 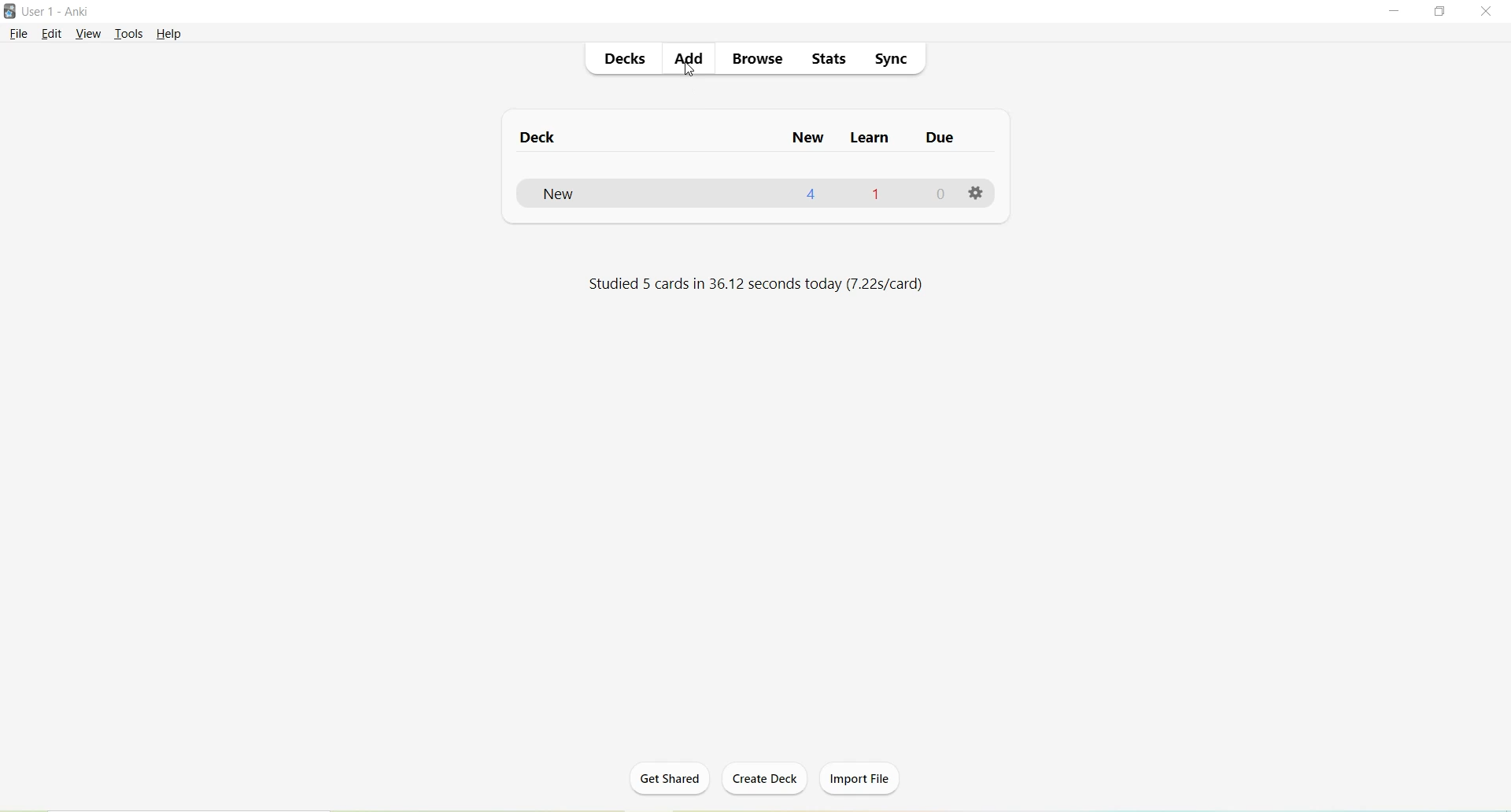 What do you see at coordinates (826, 59) in the screenshot?
I see `Stats` at bounding box center [826, 59].